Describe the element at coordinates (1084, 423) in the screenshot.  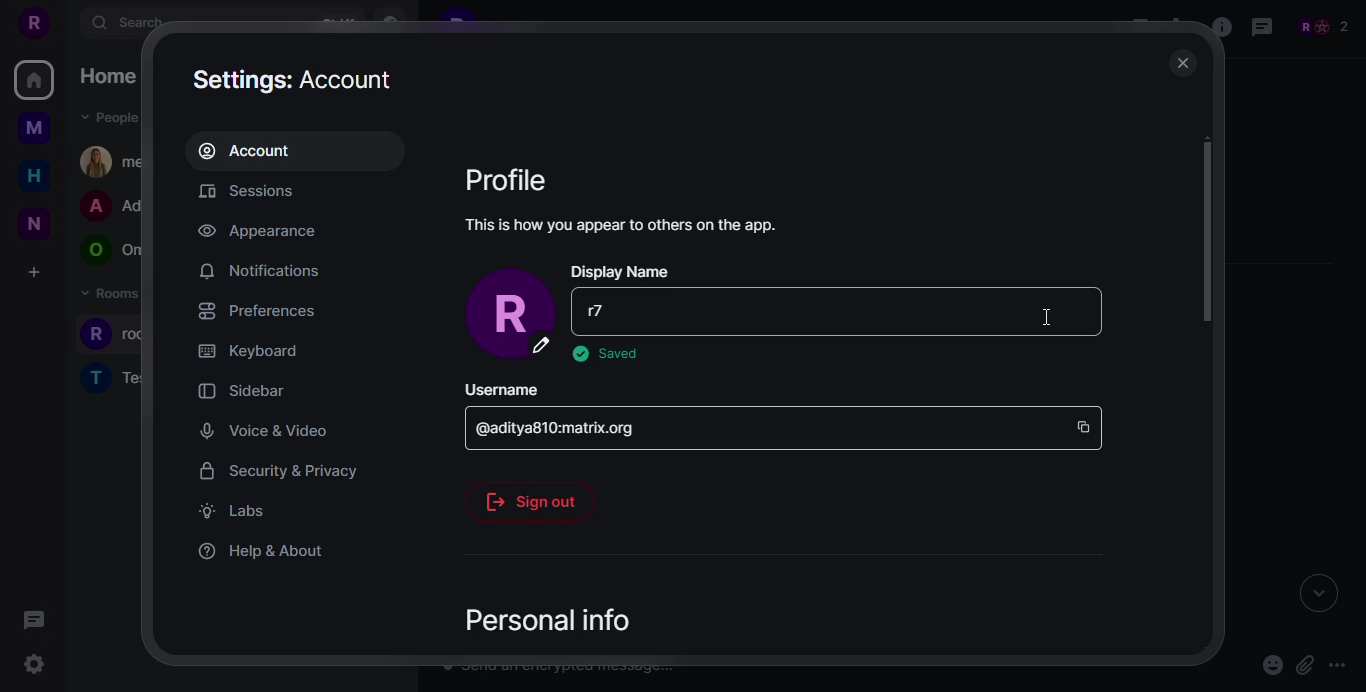
I see `copy` at that location.